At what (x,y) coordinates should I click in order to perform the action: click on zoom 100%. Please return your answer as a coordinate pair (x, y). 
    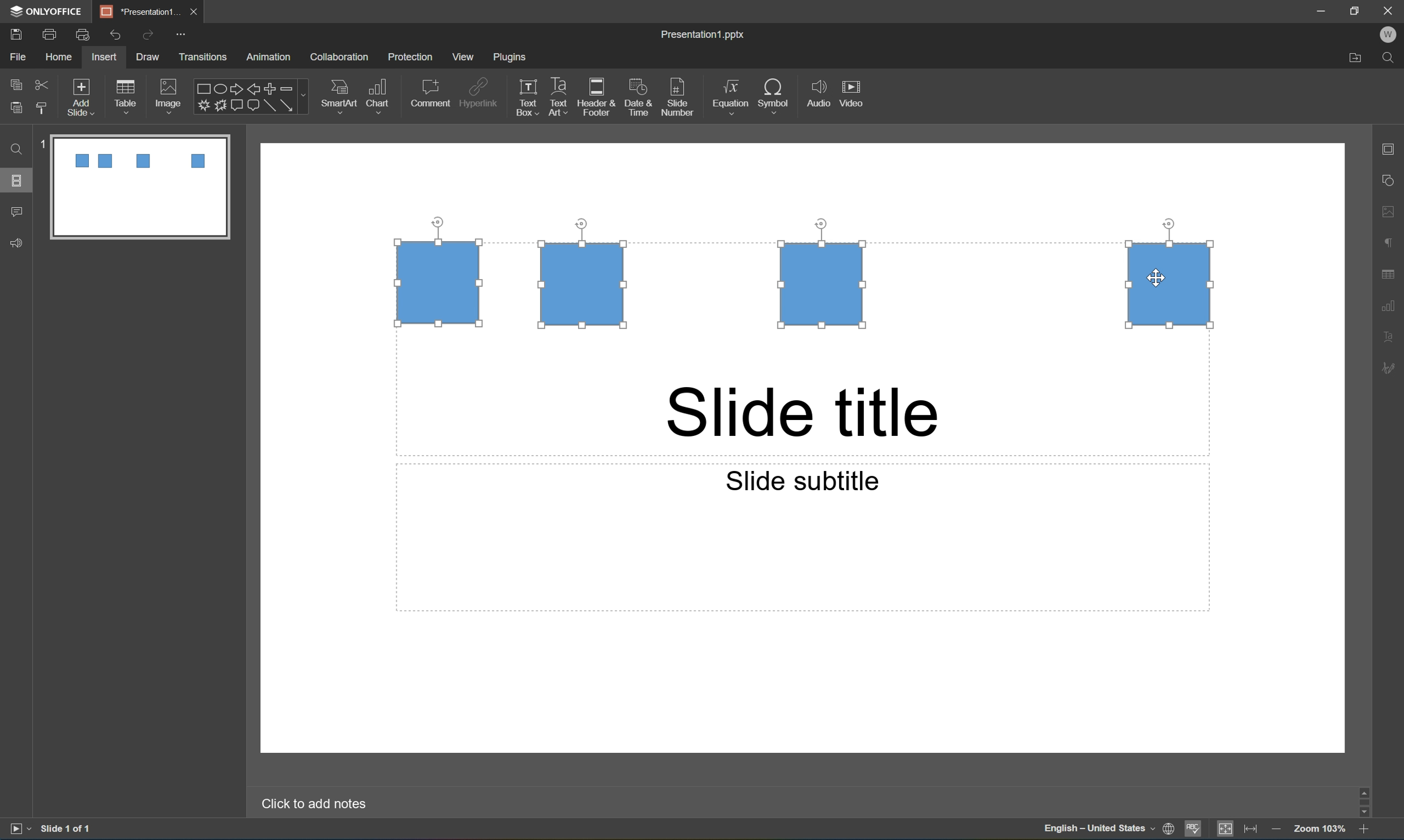
    Looking at the image, I should click on (1321, 830).